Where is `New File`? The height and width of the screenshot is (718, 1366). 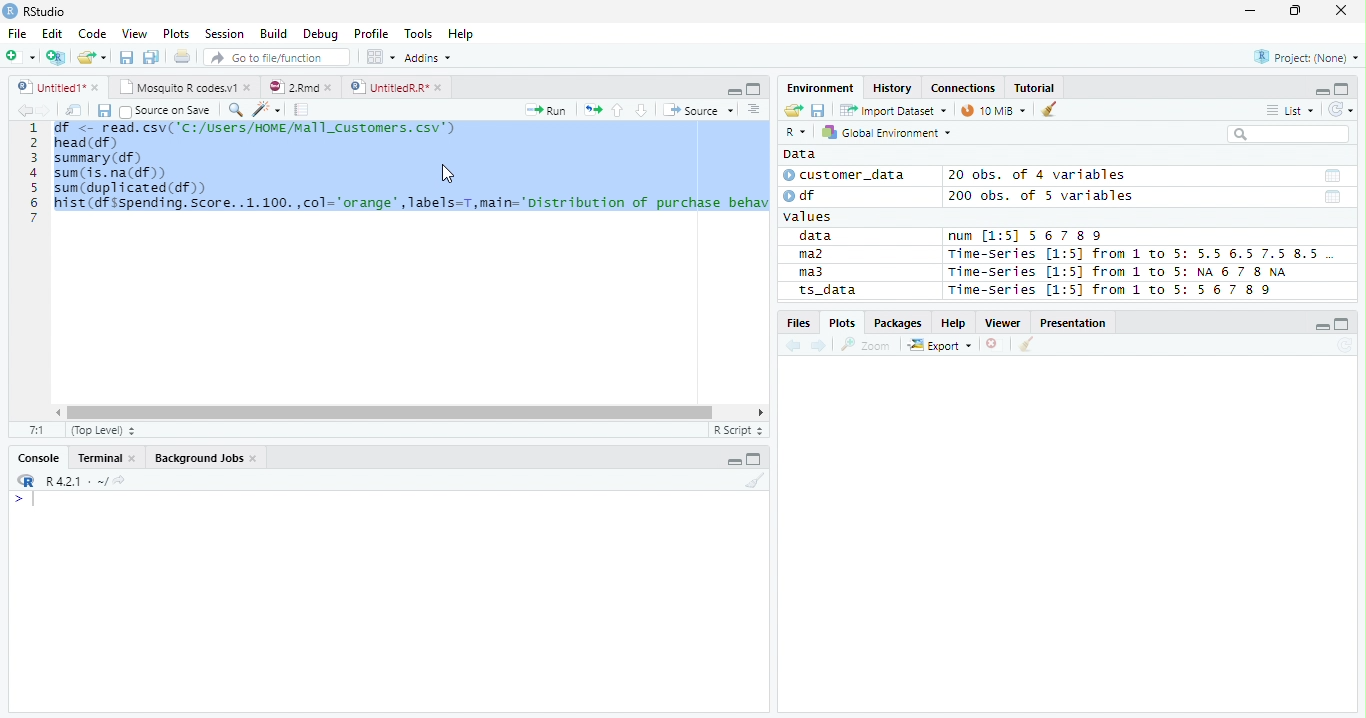 New File is located at coordinates (21, 56).